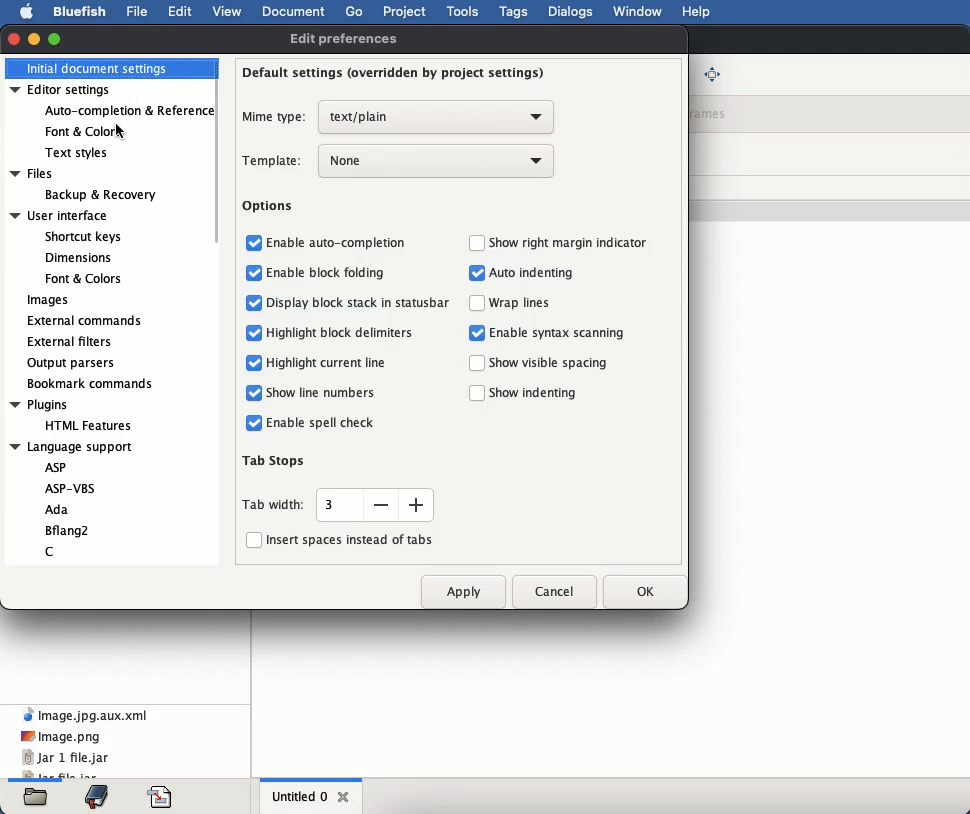  I want to click on text plain, so click(432, 117).